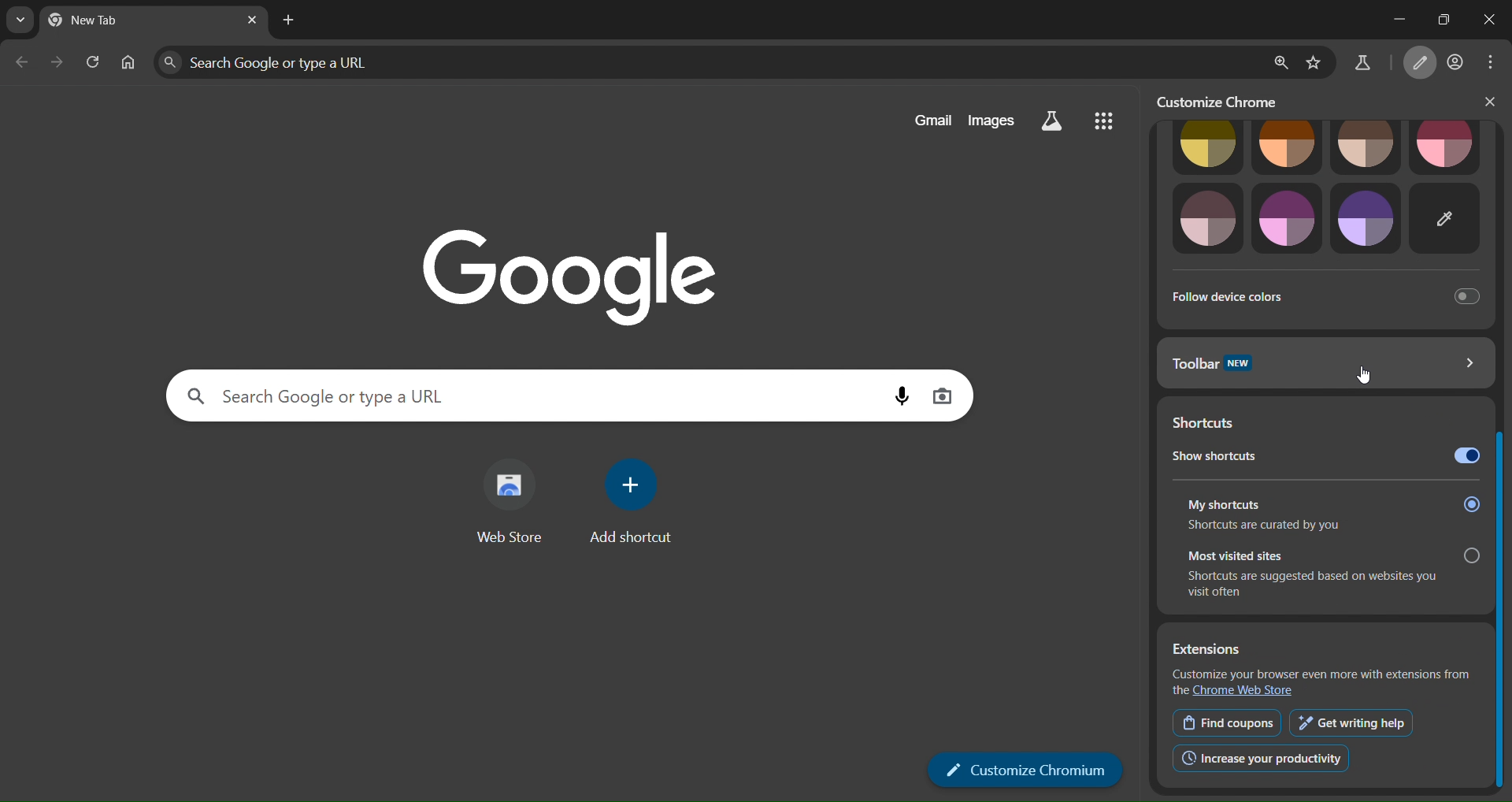 Image resolution: width=1512 pixels, height=802 pixels. I want to click on images, so click(989, 121).